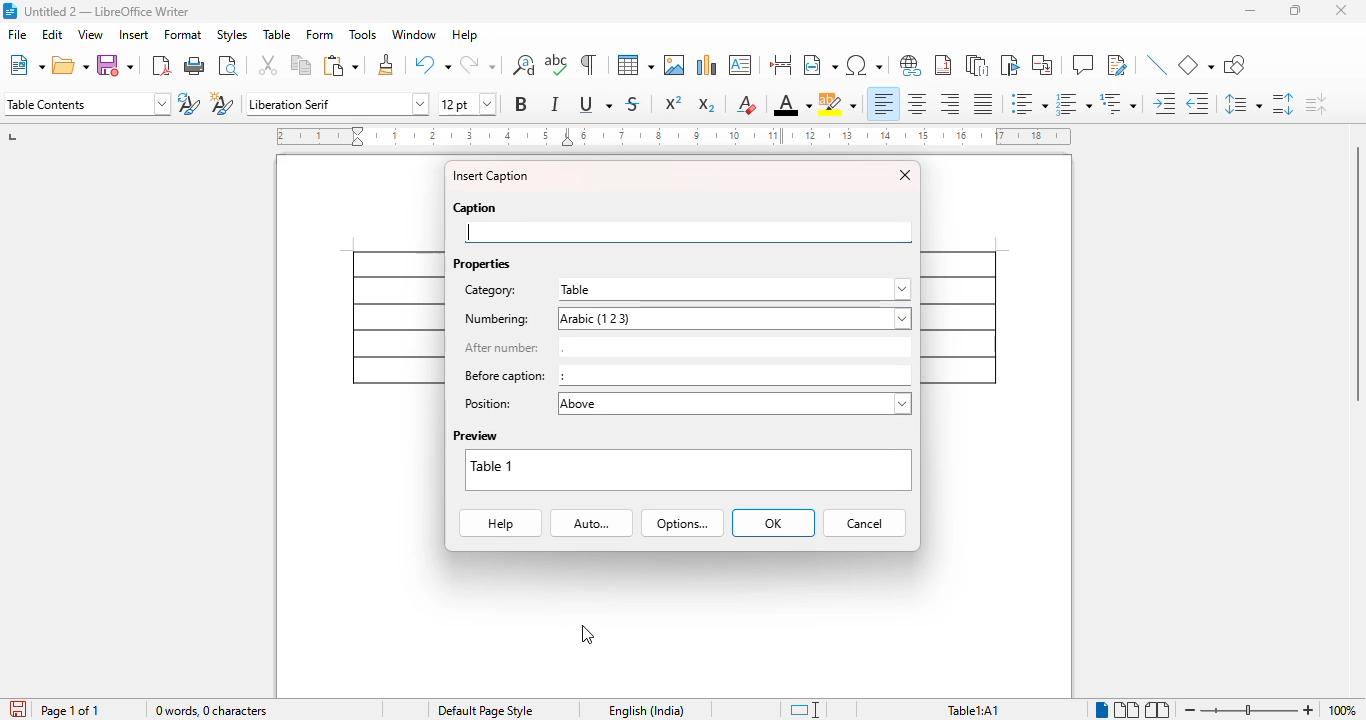 This screenshot has height=720, width=1366. What do you see at coordinates (91, 34) in the screenshot?
I see `view` at bounding box center [91, 34].